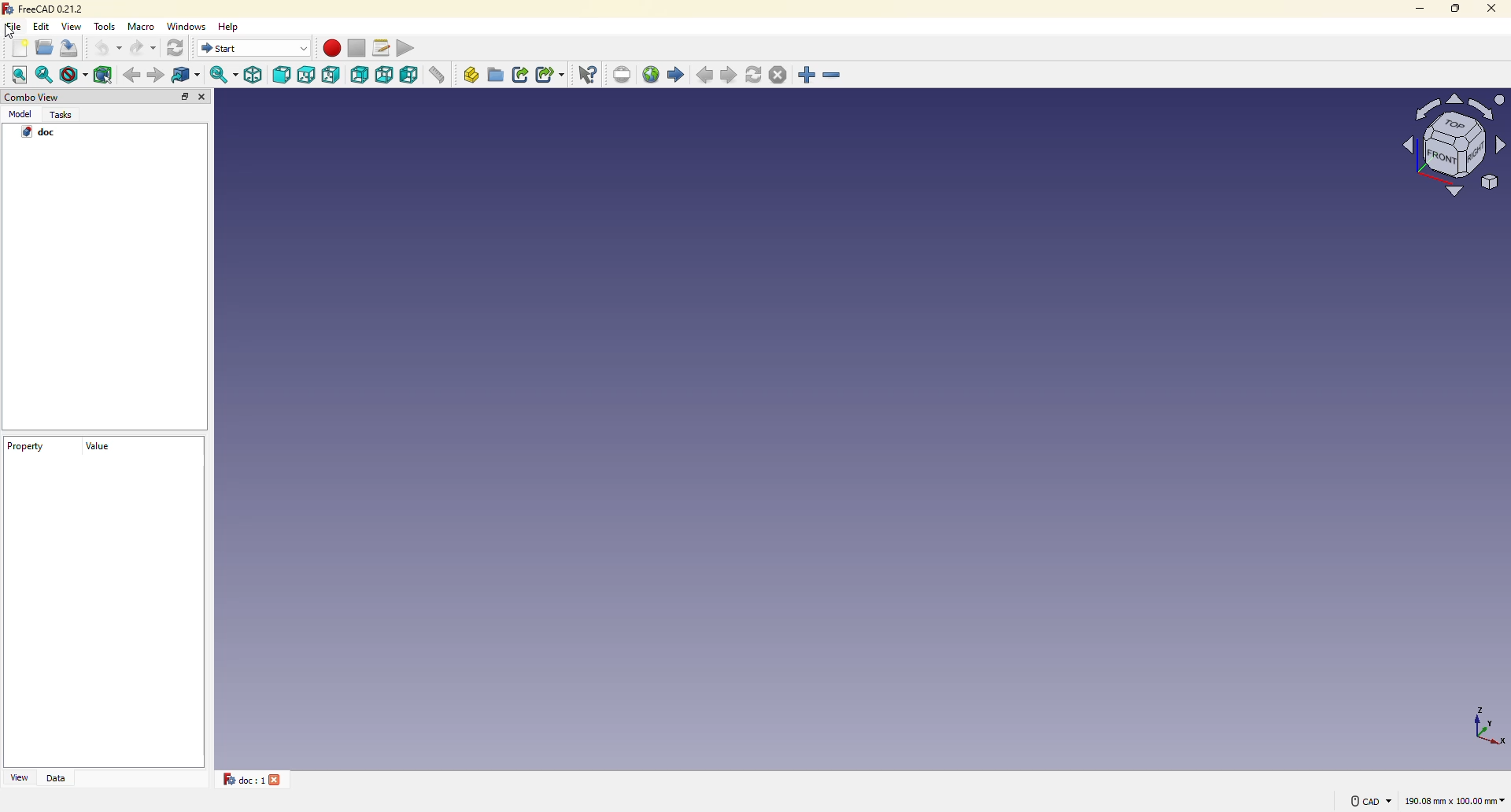 This screenshot has height=812, width=1511. What do you see at coordinates (777, 75) in the screenshot?
I see `stop loading` at bounding box center [777, 75].